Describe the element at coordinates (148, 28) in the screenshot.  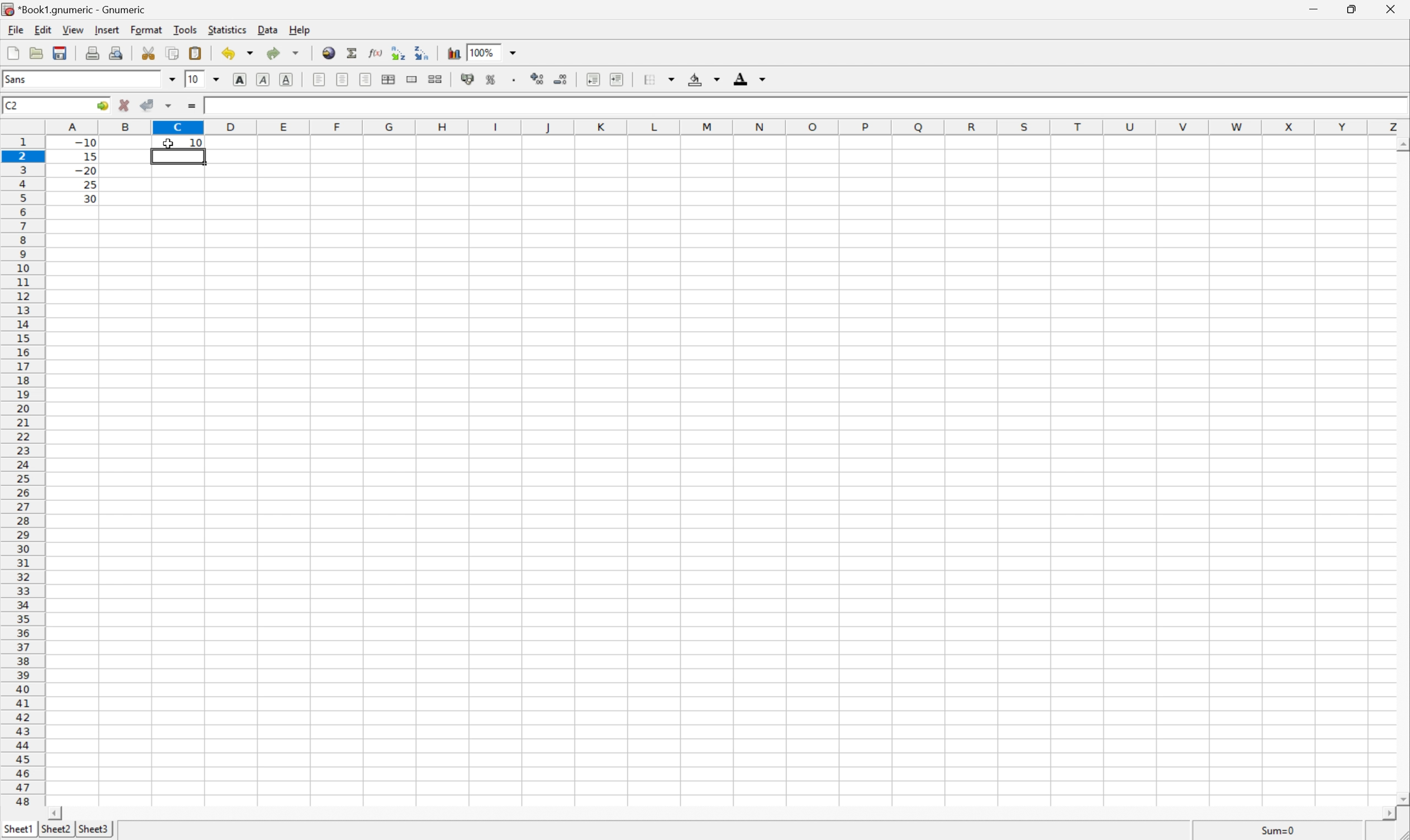
I see `Format` at that location.